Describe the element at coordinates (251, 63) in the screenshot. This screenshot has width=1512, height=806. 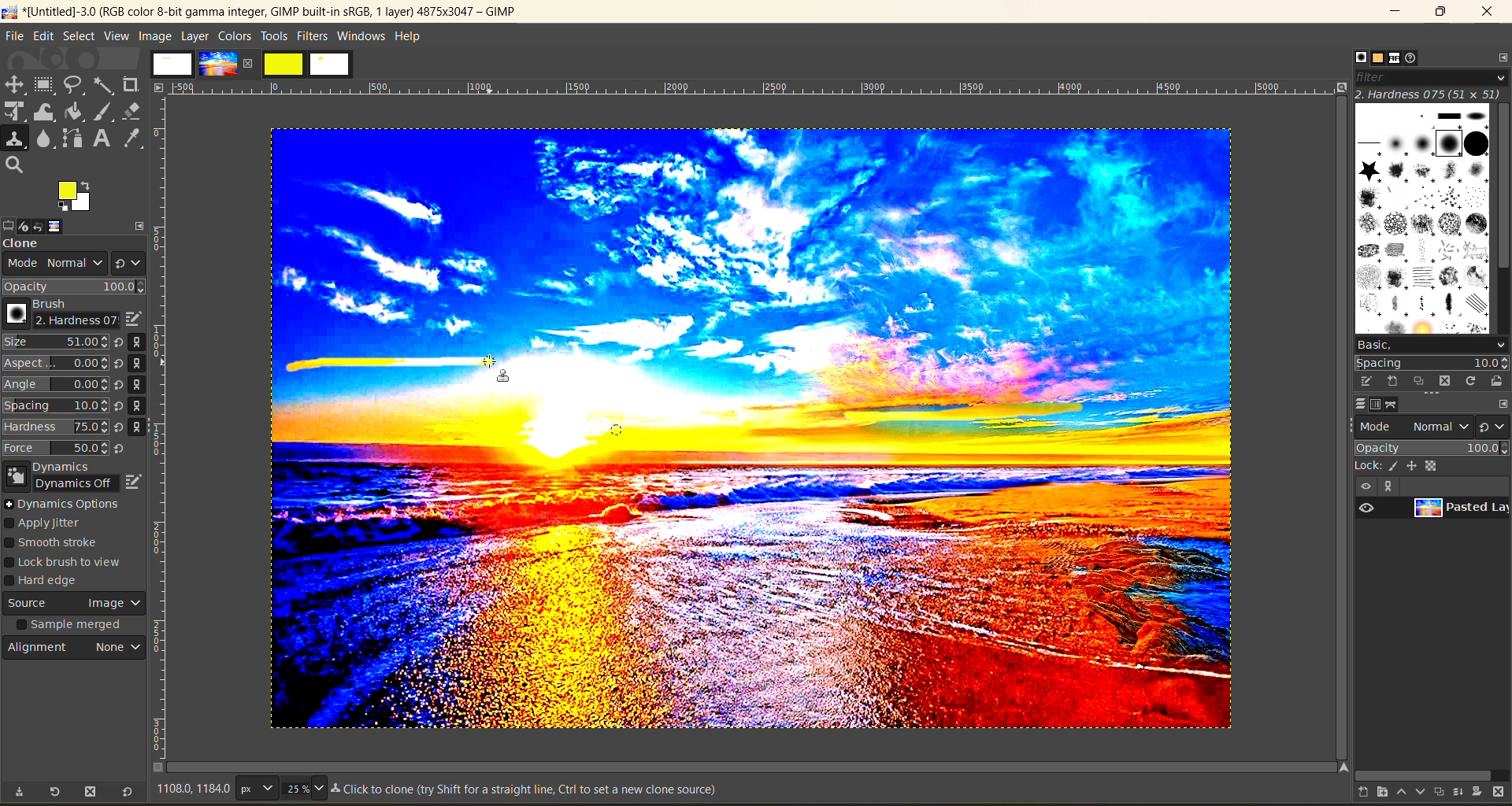
I see `close` at that location.